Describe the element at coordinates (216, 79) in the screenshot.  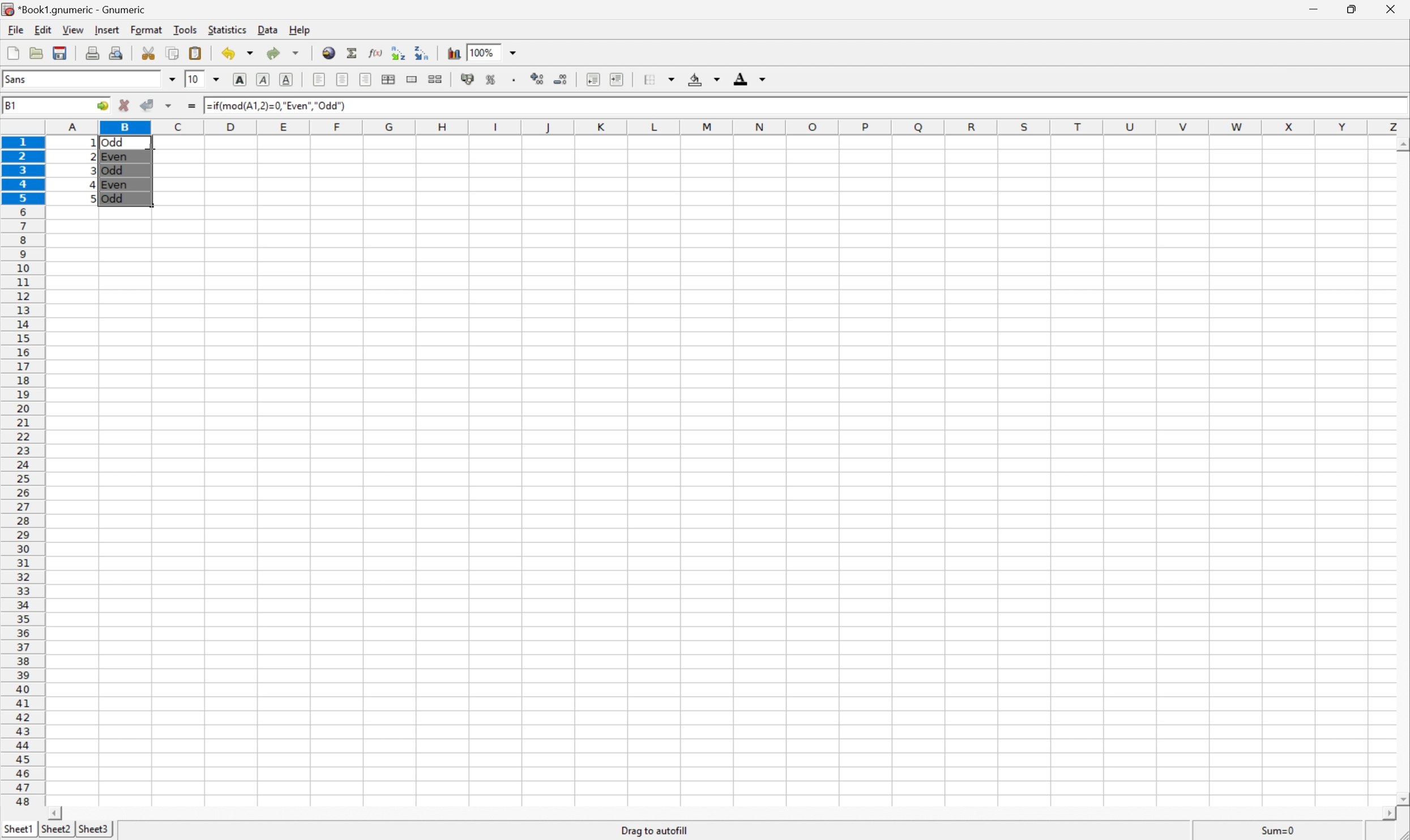
I see `Drop Down` at that location.